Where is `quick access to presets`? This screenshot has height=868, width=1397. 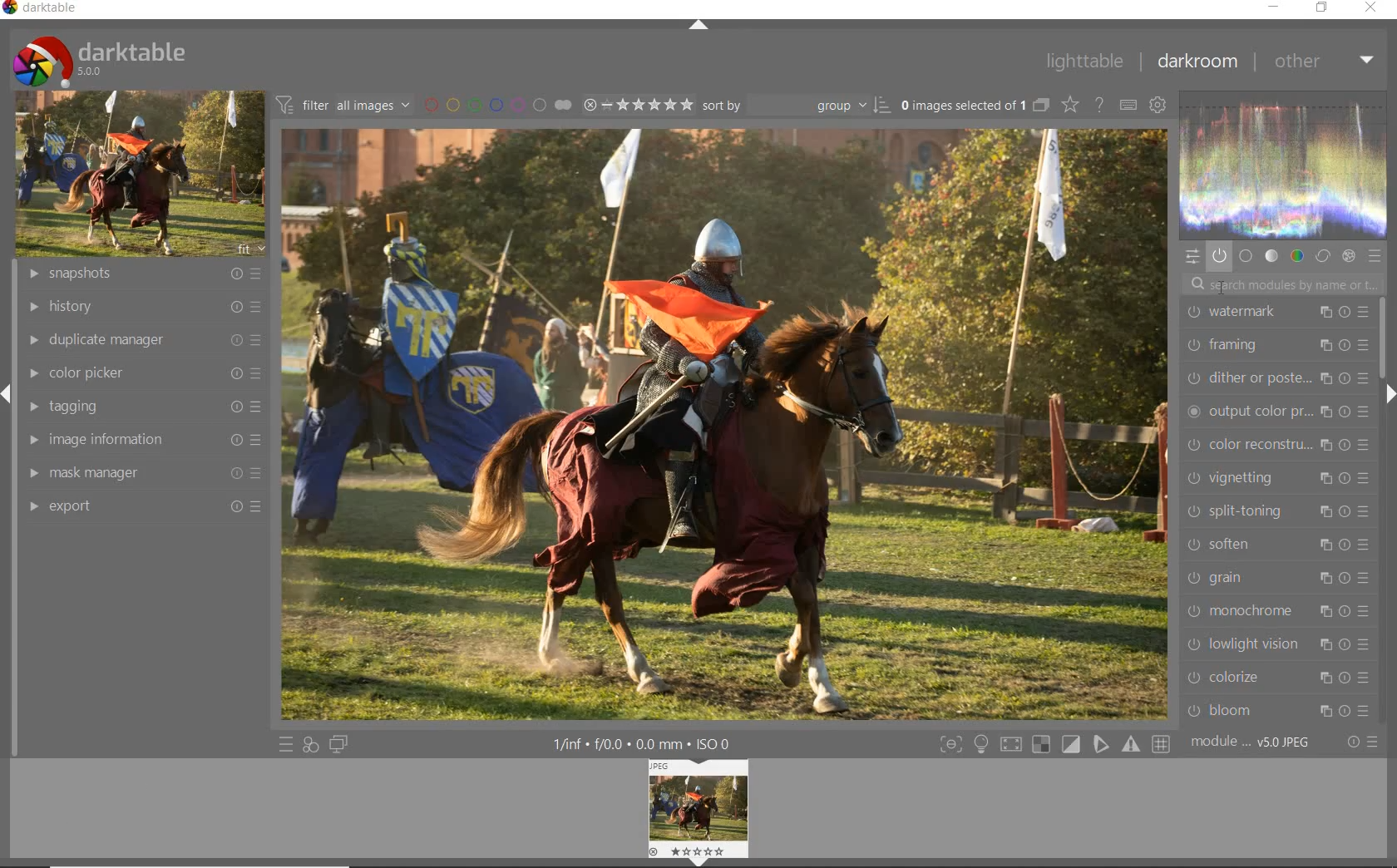 quick access to presets is located at coordinates (286, 745).